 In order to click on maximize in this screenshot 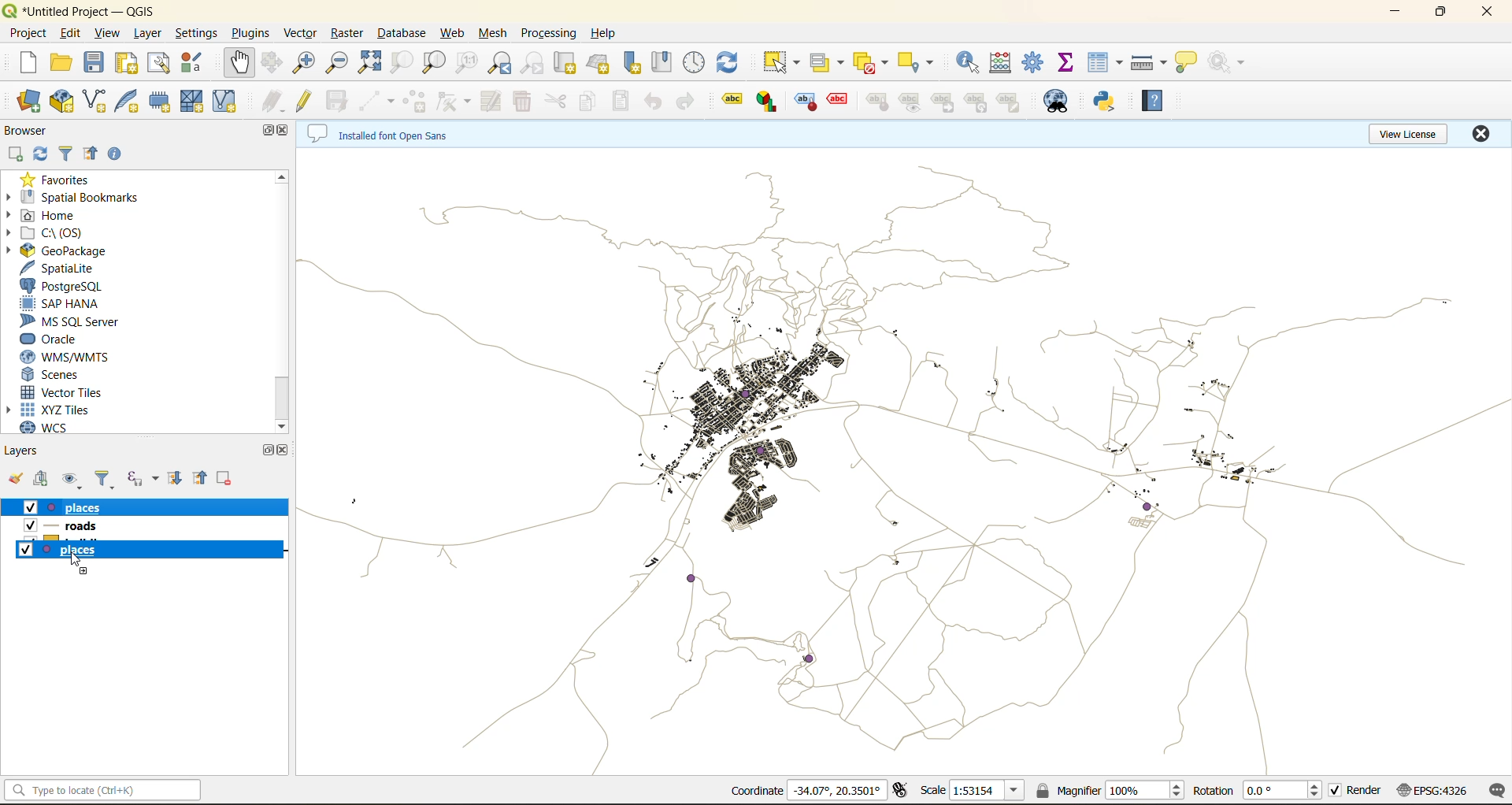, I will do `click(272, 451)`.